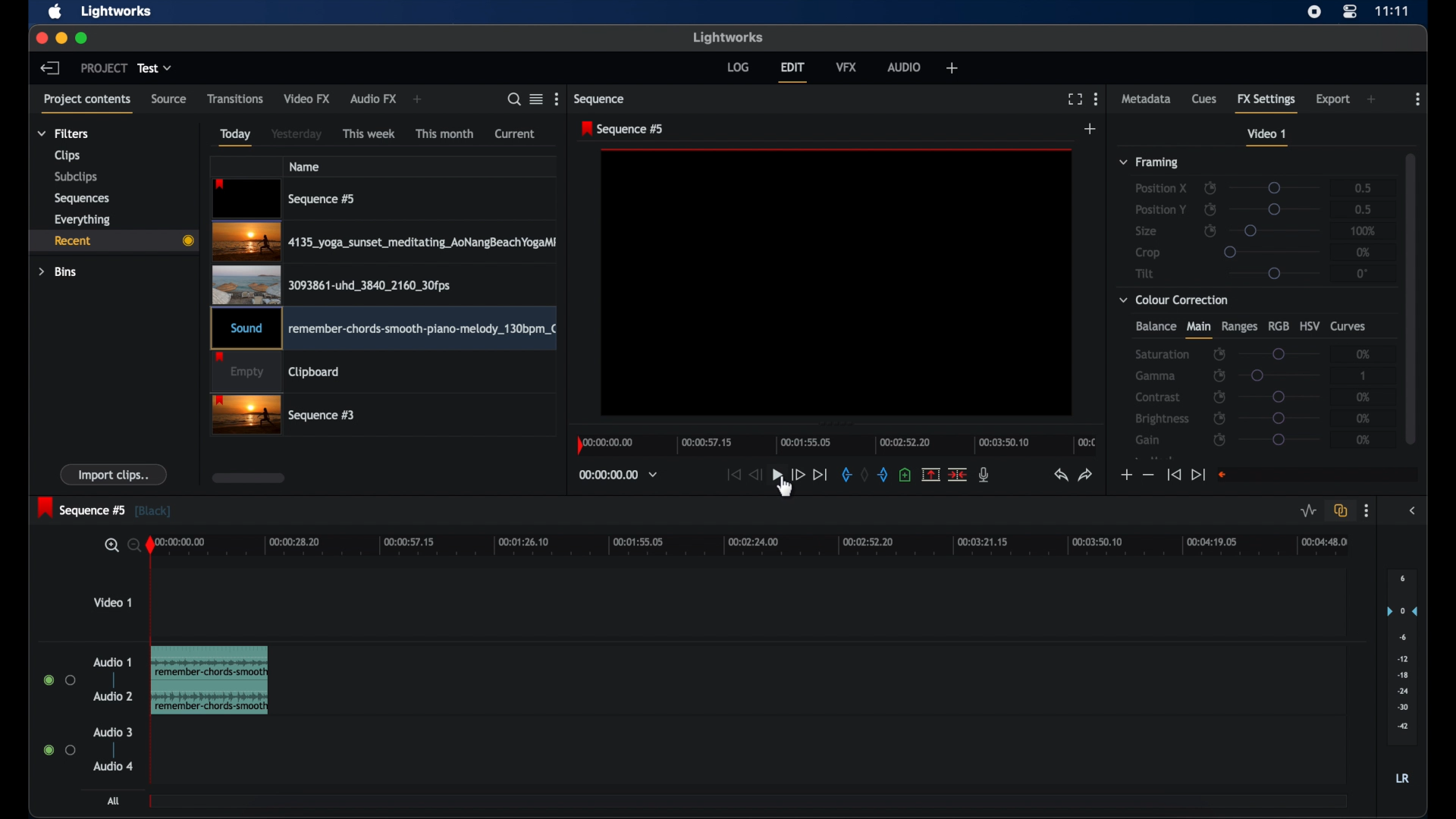 The height and width of the screenshot is (819, 1456). What do you see at coordinates (113, 697) in the screenshot?
I see `audio 2` at bounding box center [113, 697].